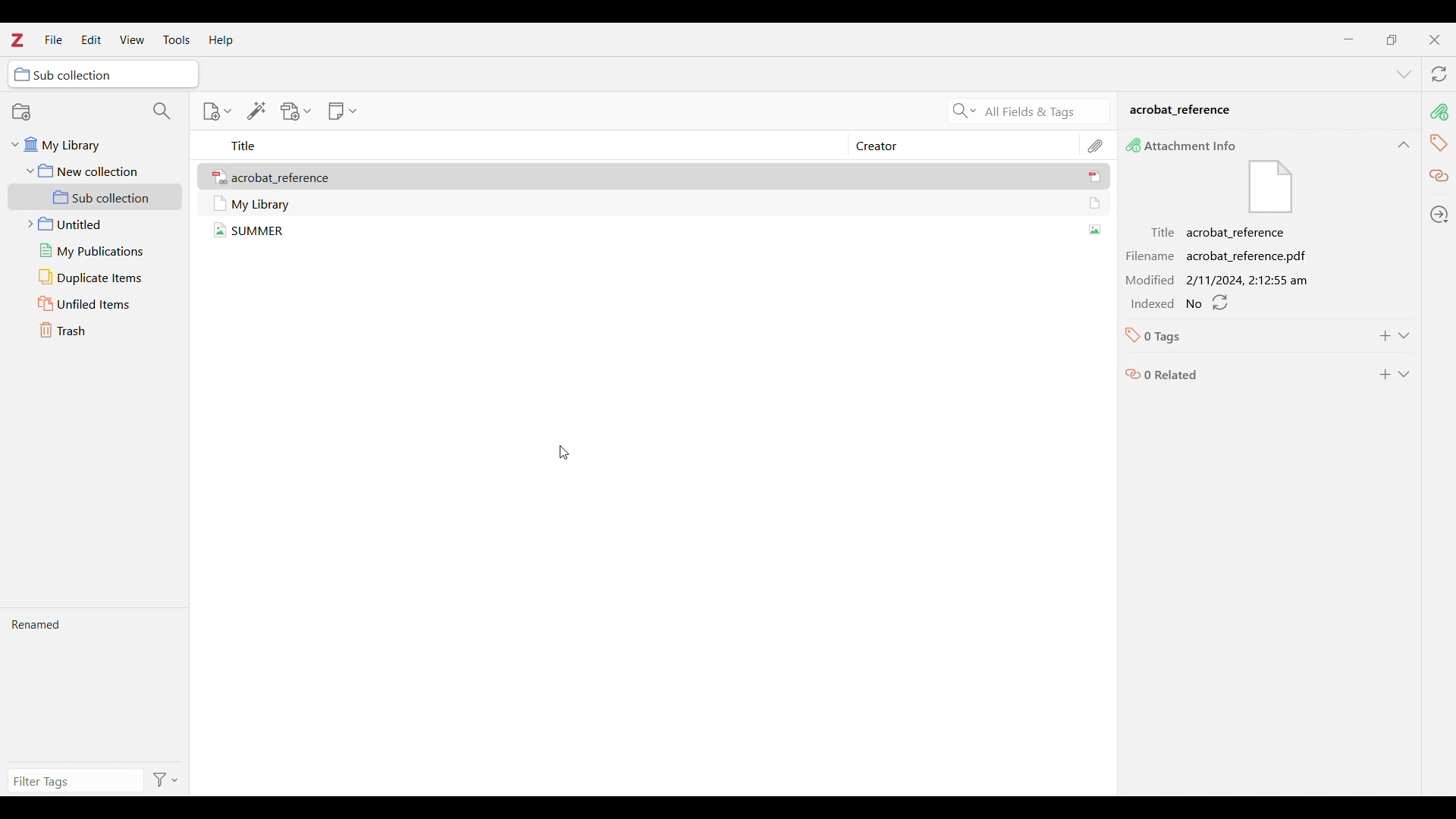 This screenshot has width=1456, height=819. Describe the element at coordinates (103, 74) in the screenshot. I see `Current folder` at that location.